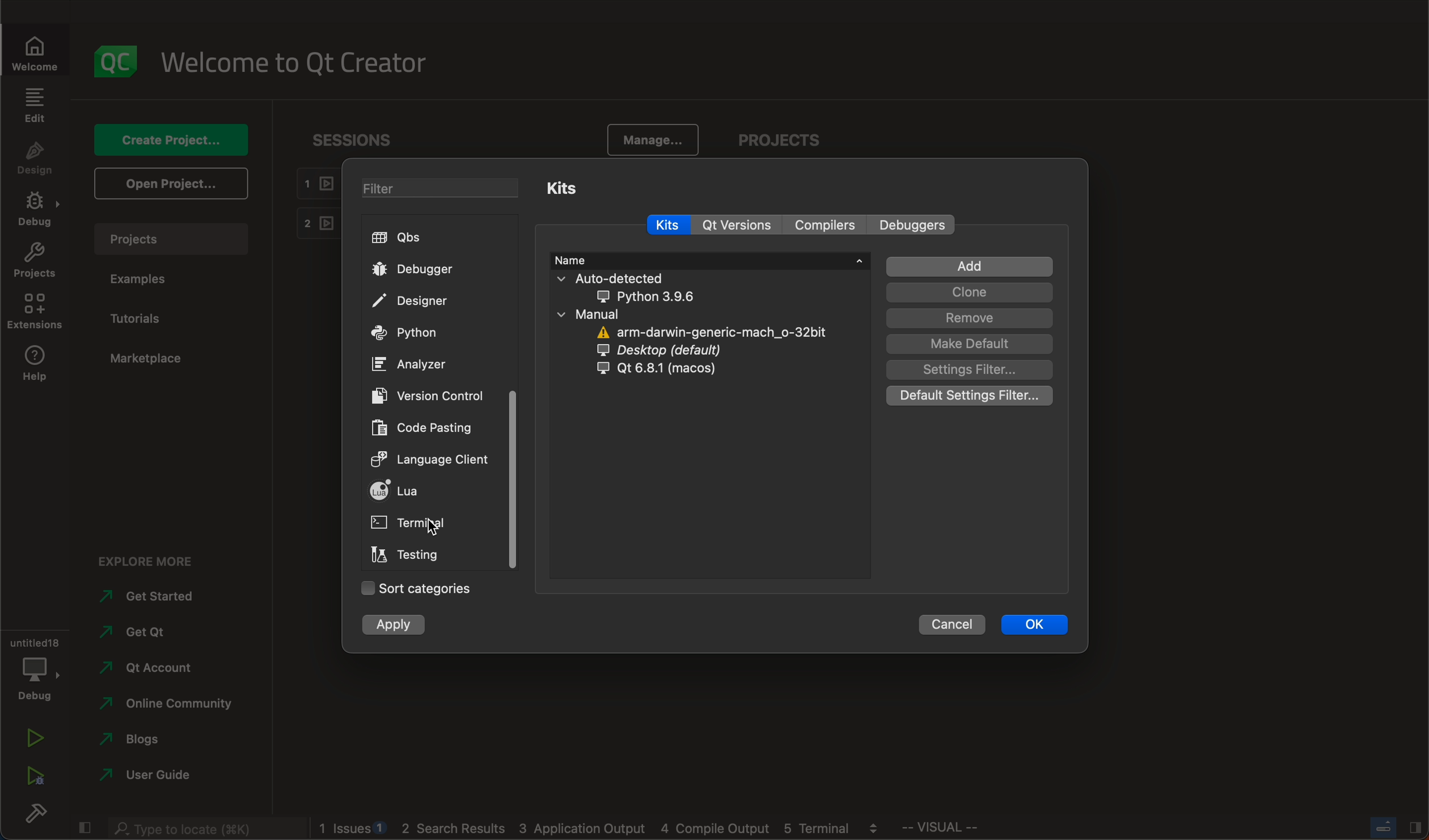 The width and height of the screenshot is (1429, 840). I want to click on manual, so click(614, 315).